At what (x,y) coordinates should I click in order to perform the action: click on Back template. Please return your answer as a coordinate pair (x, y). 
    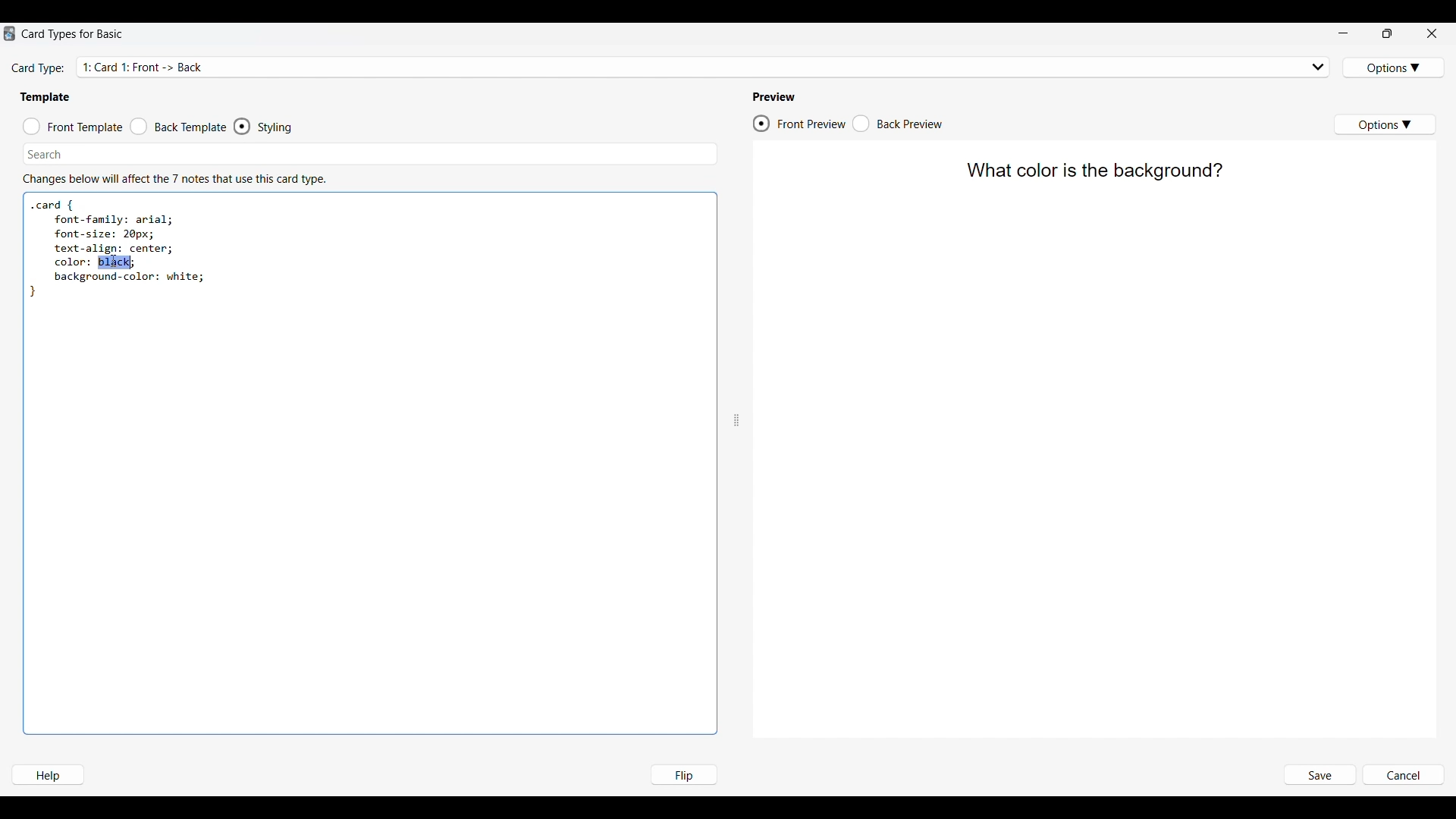
    Looking at the image, I should click on (178, 127).